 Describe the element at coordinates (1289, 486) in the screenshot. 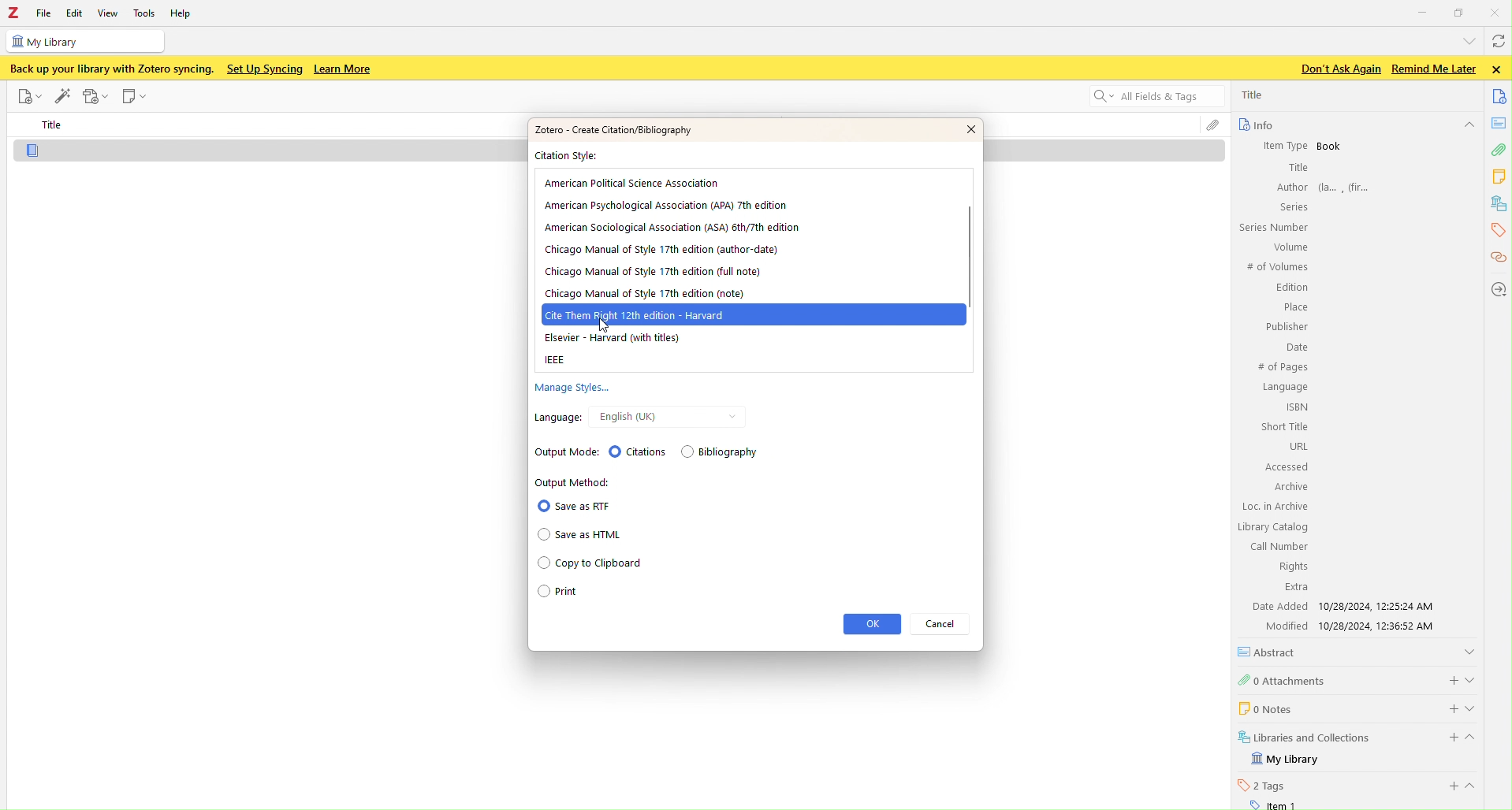

I see `Archive` at that location.